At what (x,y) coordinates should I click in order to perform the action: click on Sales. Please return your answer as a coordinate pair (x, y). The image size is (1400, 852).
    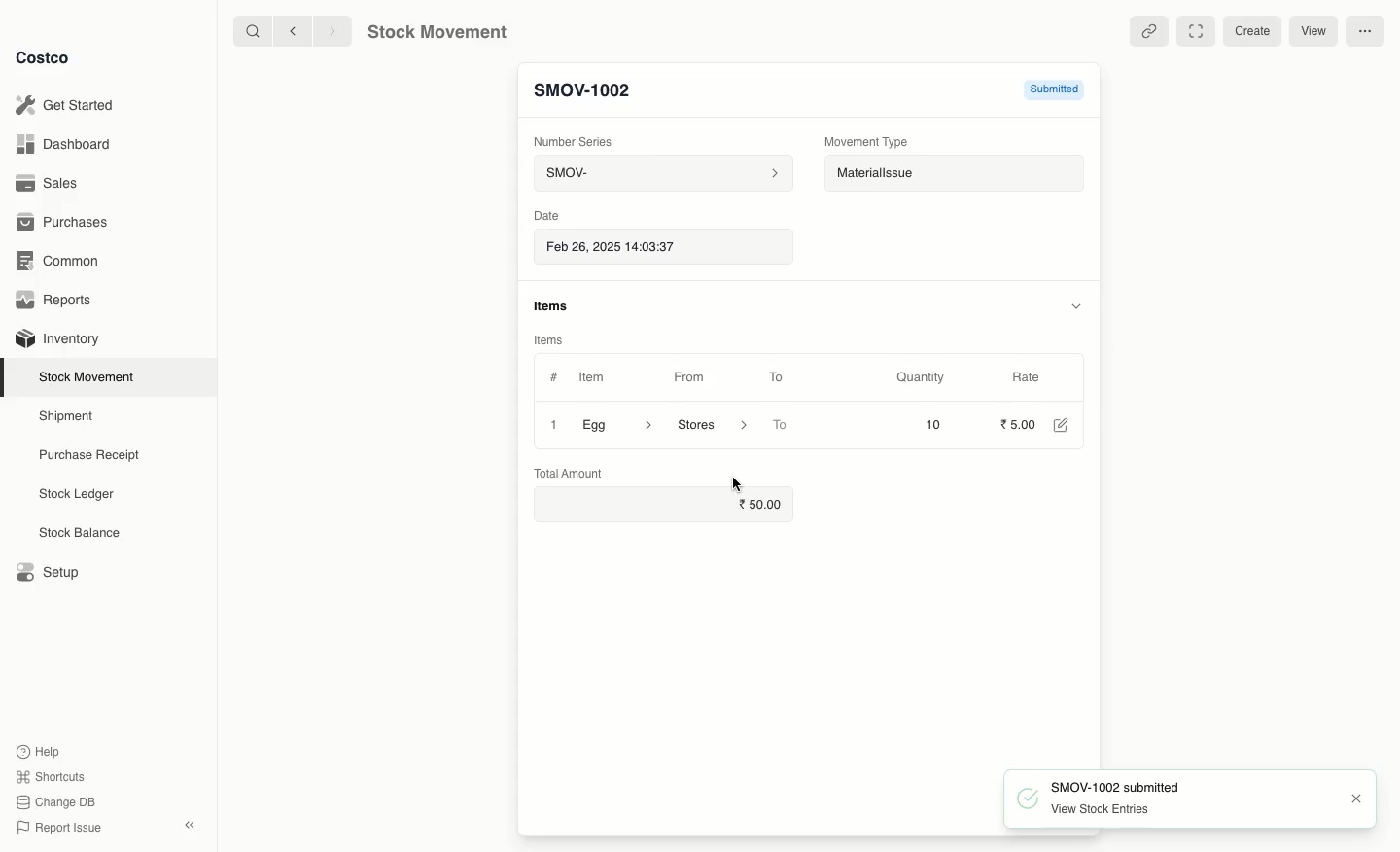
    Looking at the image, I should click on (50, 182).